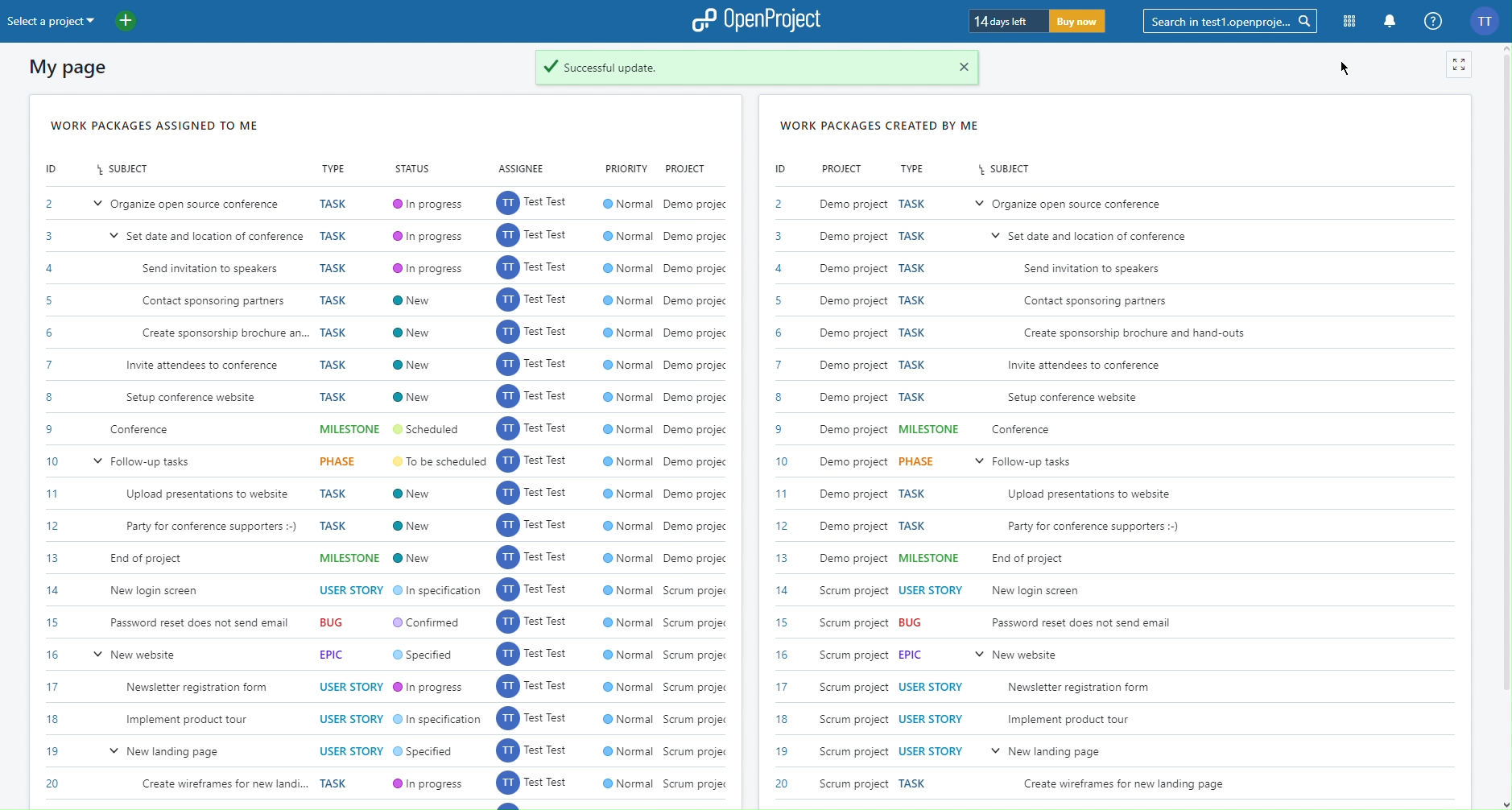  What do you see at coordinates (340, 508) in the screenshot?
I see `Task` at bounding box center [340, 508].